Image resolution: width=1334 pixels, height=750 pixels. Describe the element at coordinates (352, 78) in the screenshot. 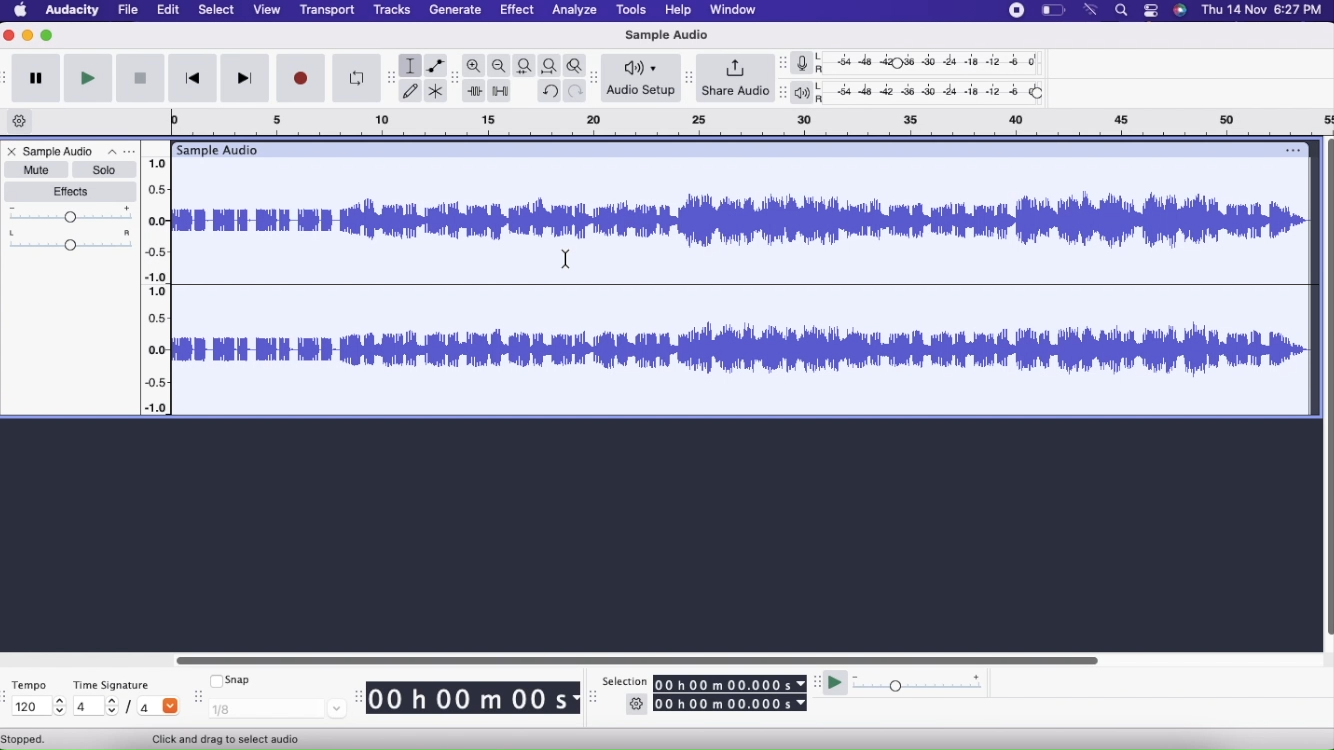

I see `Enable Looping` at that location.